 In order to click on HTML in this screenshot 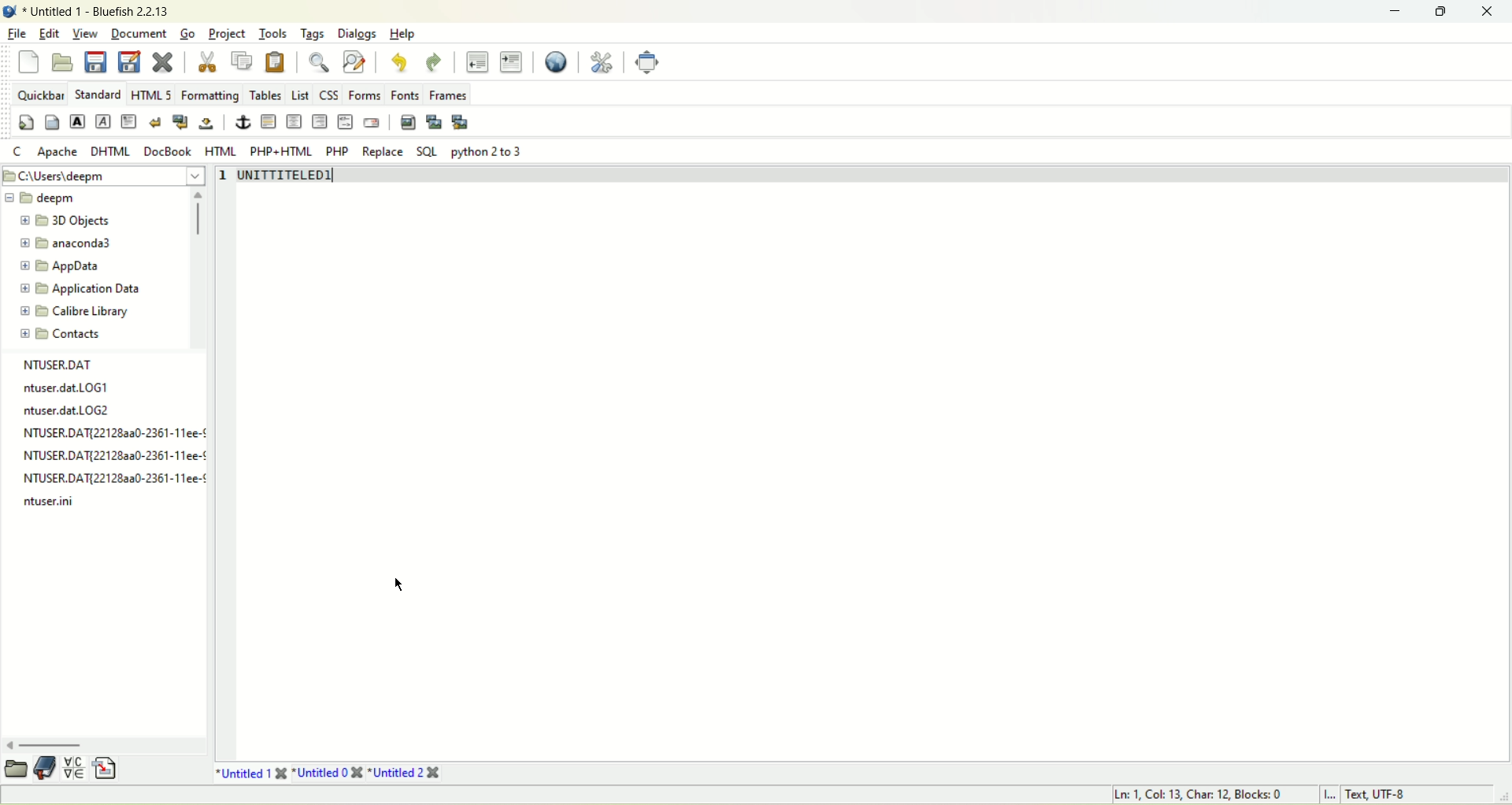, I will do `click(219, 150)`.